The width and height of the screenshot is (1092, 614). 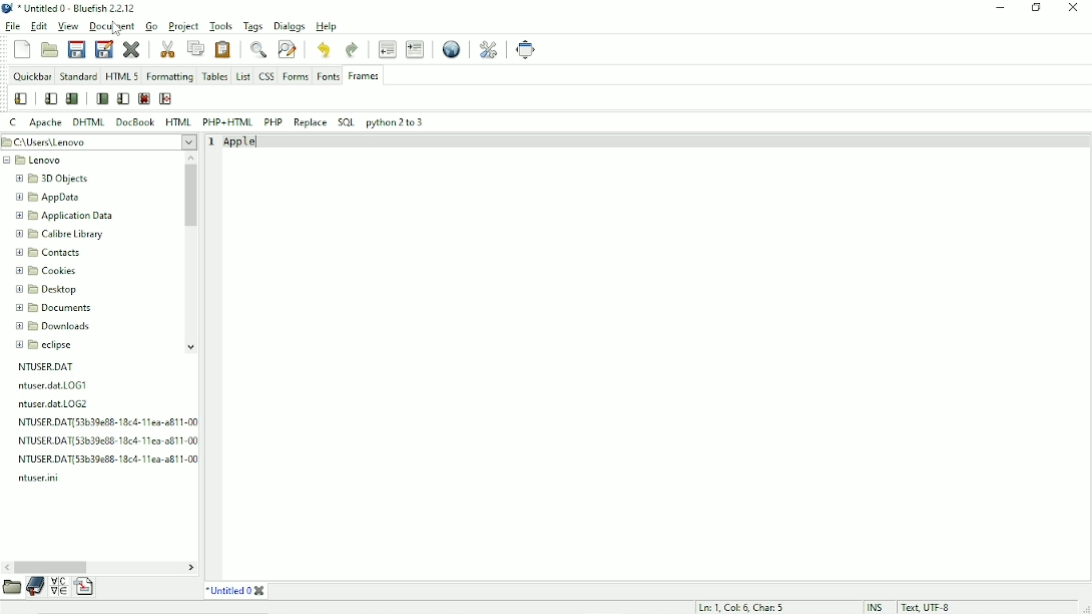 I want to click on Preview in browser, so click(x=450, y=46).